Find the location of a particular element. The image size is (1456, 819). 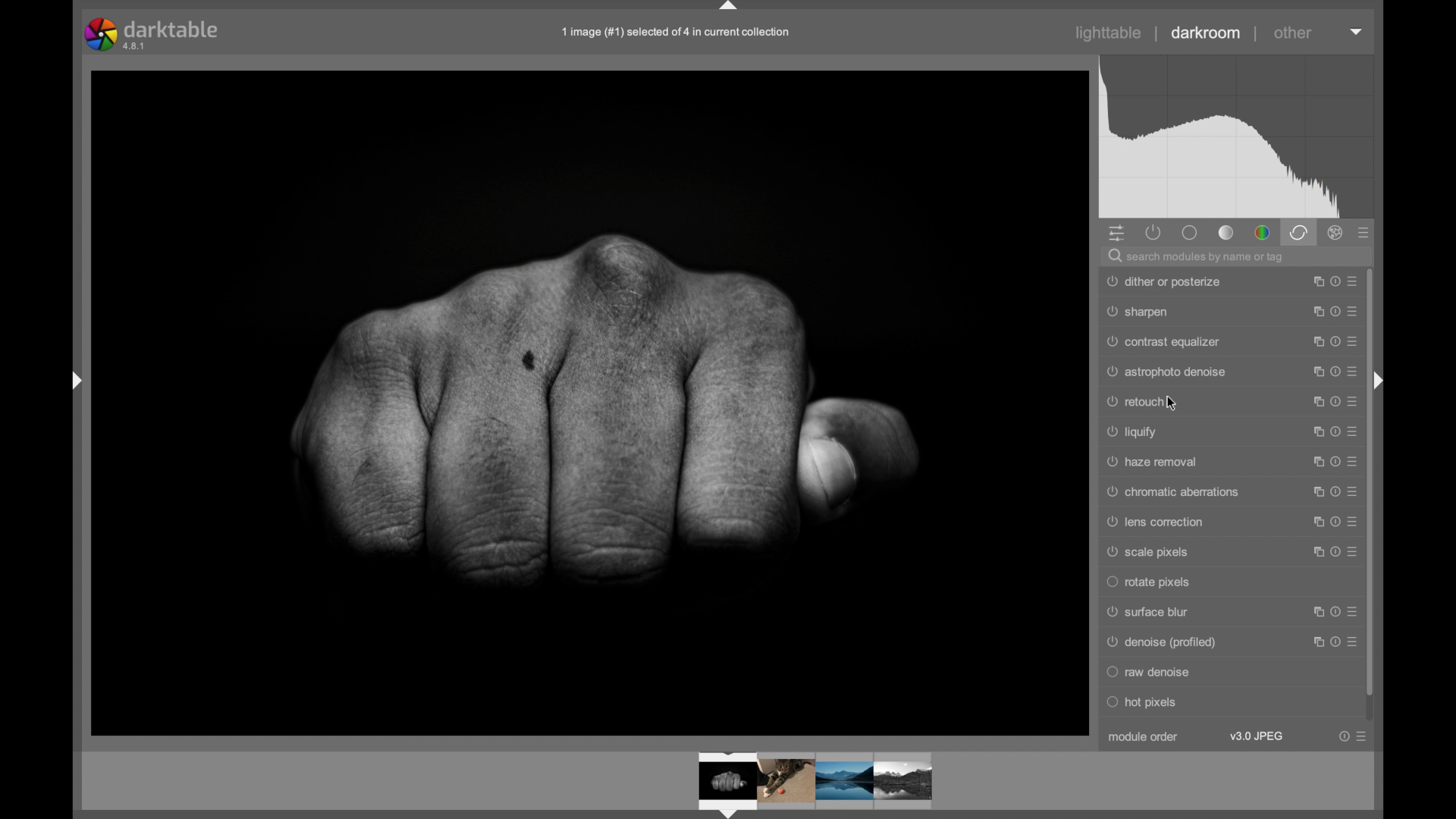

help is located at coordinates (1332, 491).